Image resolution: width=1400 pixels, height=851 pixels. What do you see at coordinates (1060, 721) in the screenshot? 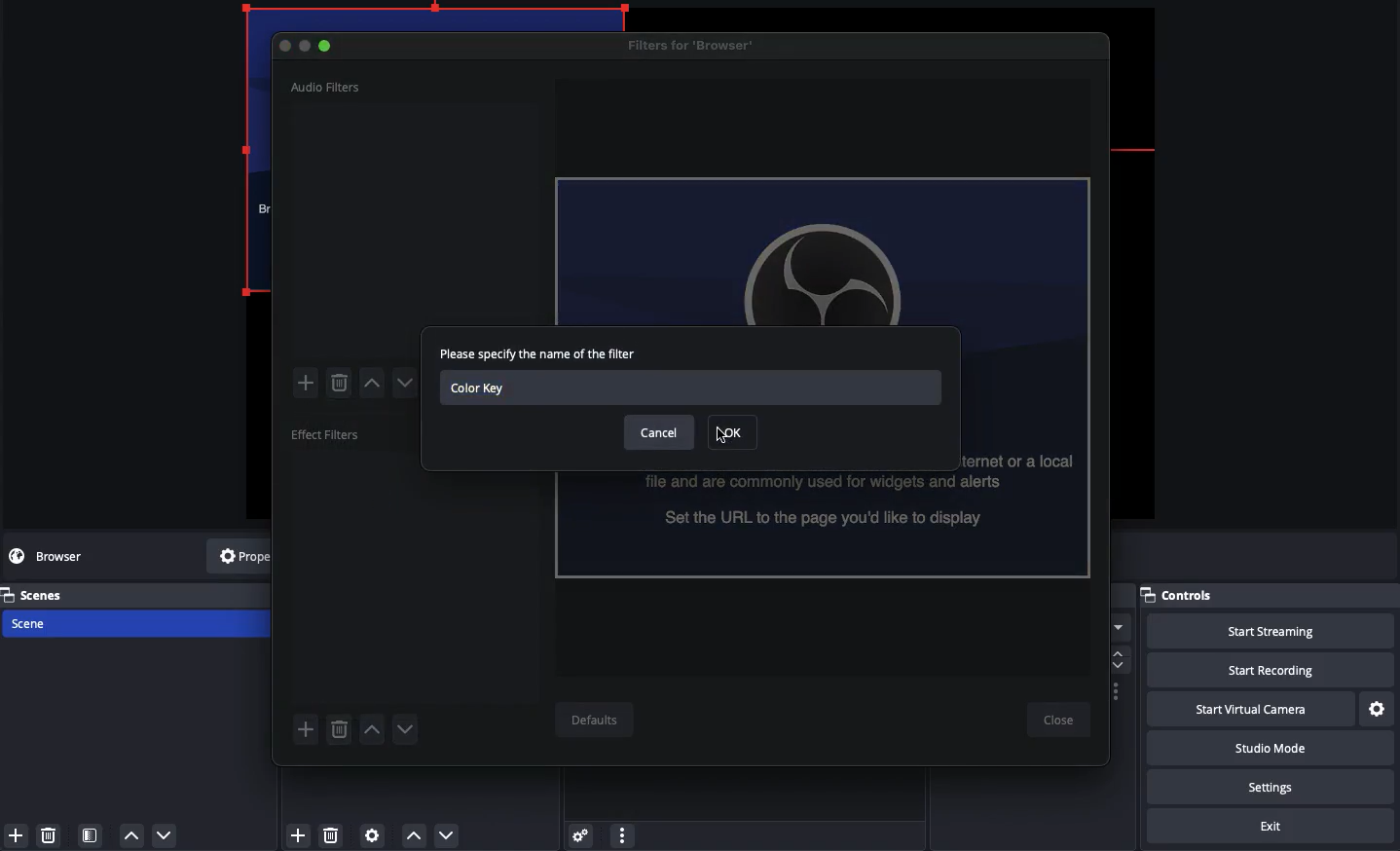
I see `Close` at bounding box center [1060, 721].